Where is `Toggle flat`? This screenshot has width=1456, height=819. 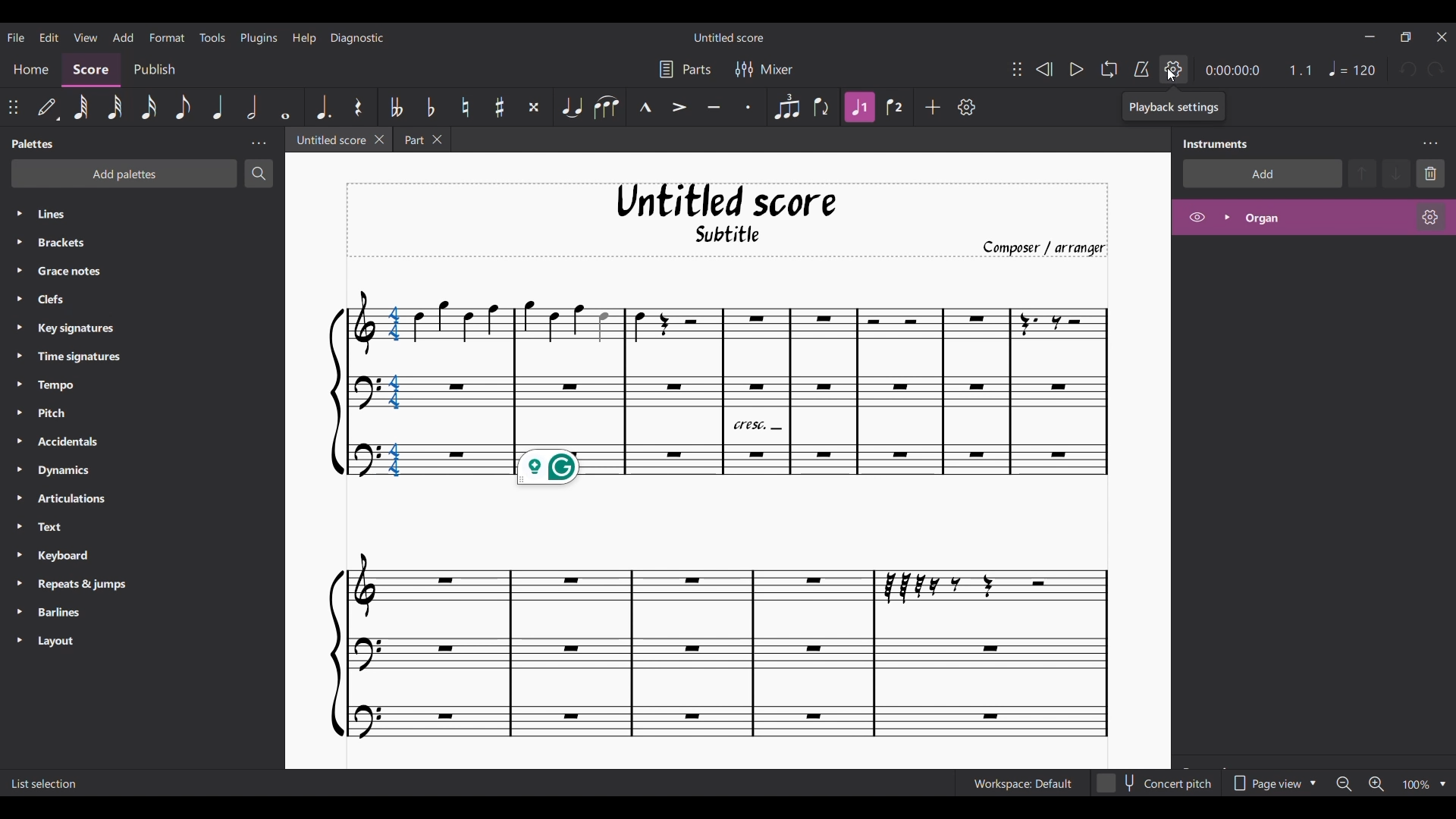 Toggle flat is located at coordinates (431, 106).